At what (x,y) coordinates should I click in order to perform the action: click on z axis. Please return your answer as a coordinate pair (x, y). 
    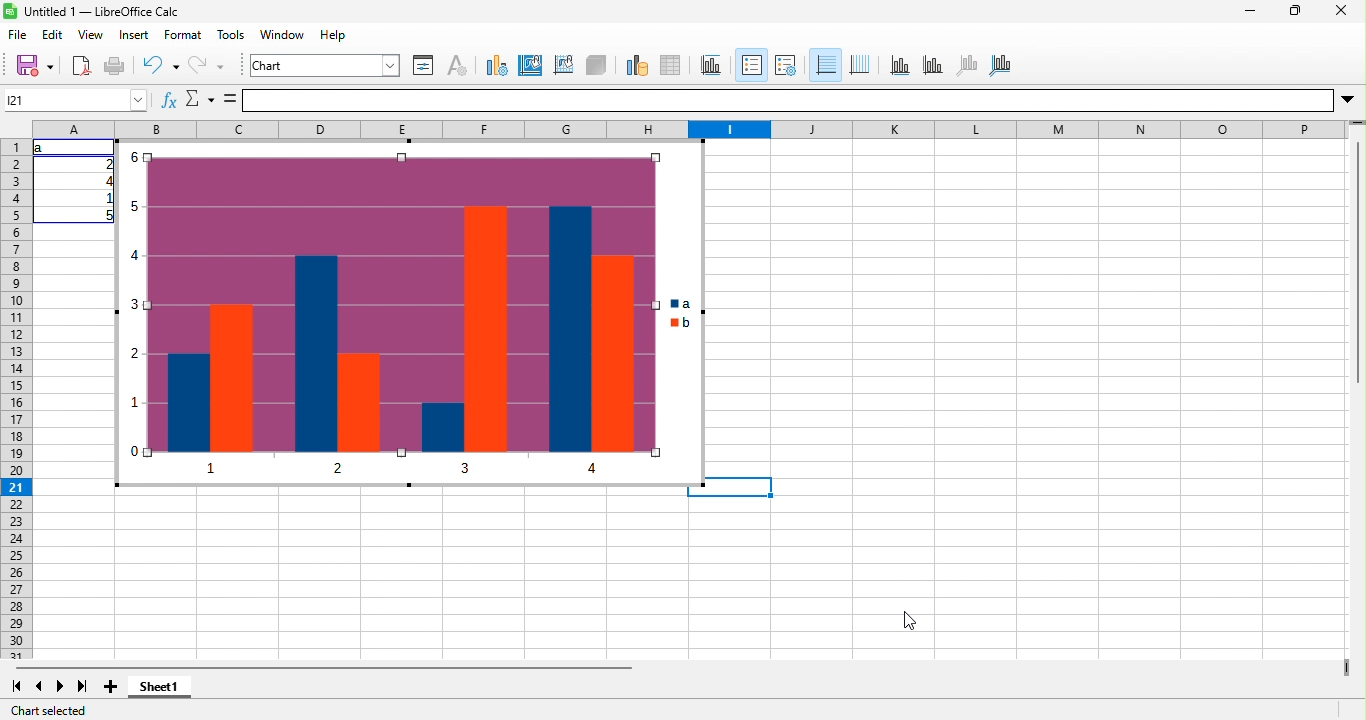
    Looking at the image, I should click on (967, 66).